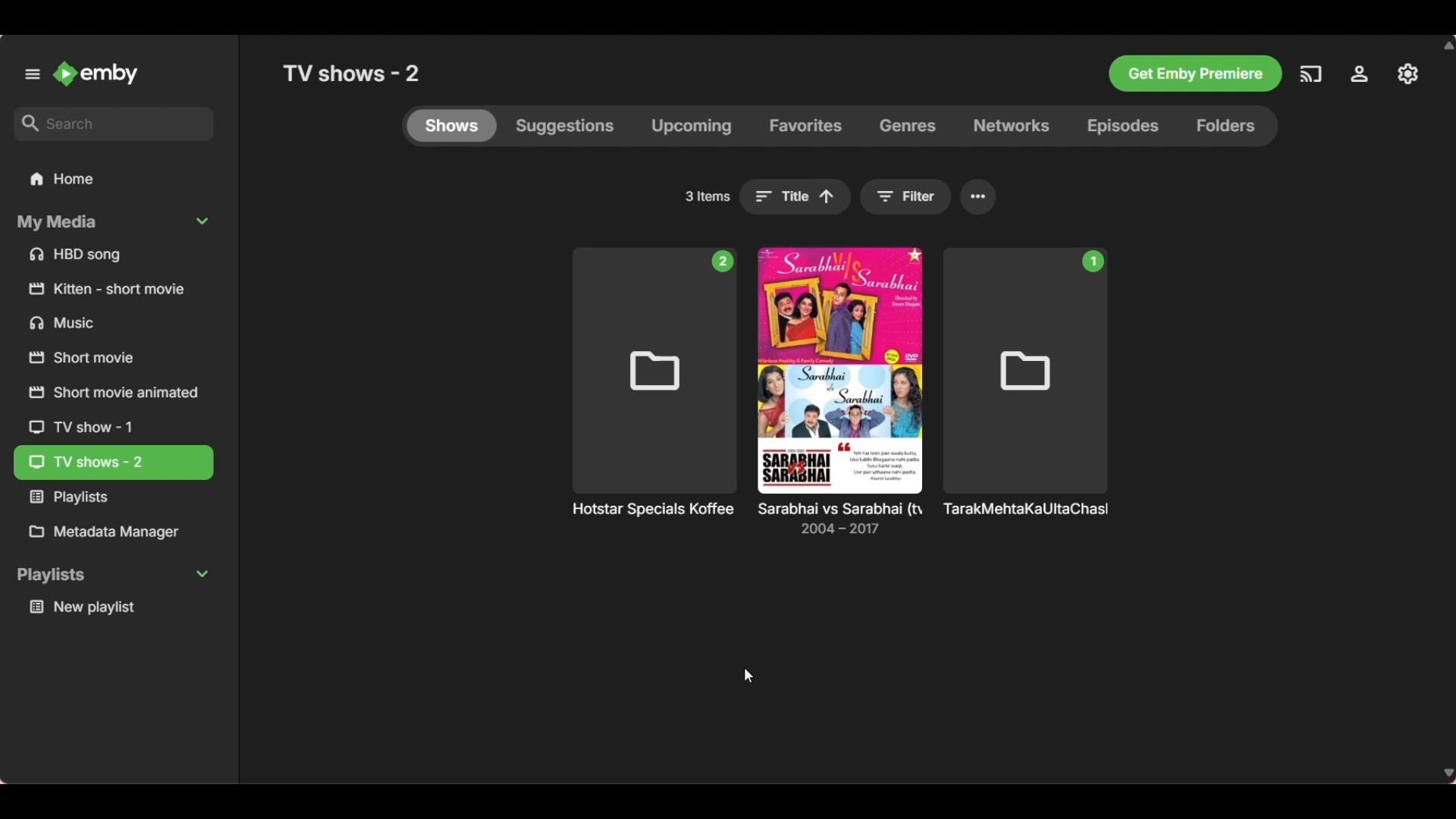  Describe the element at coordinates (1122, 127) in the screenshot. I see `Episodes` at that location.